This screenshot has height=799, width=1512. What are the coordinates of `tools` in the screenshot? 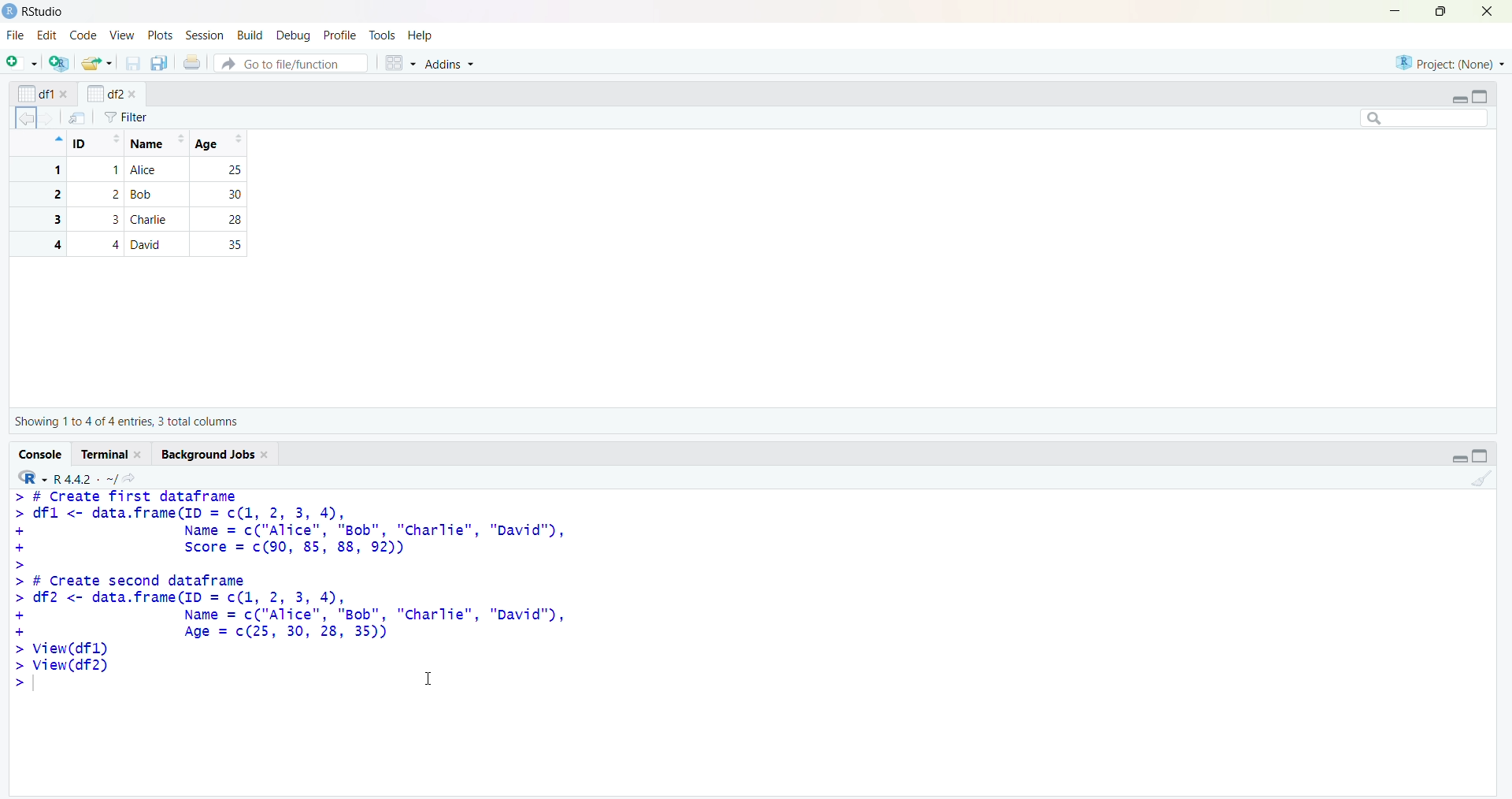 It's located at (383, 35).